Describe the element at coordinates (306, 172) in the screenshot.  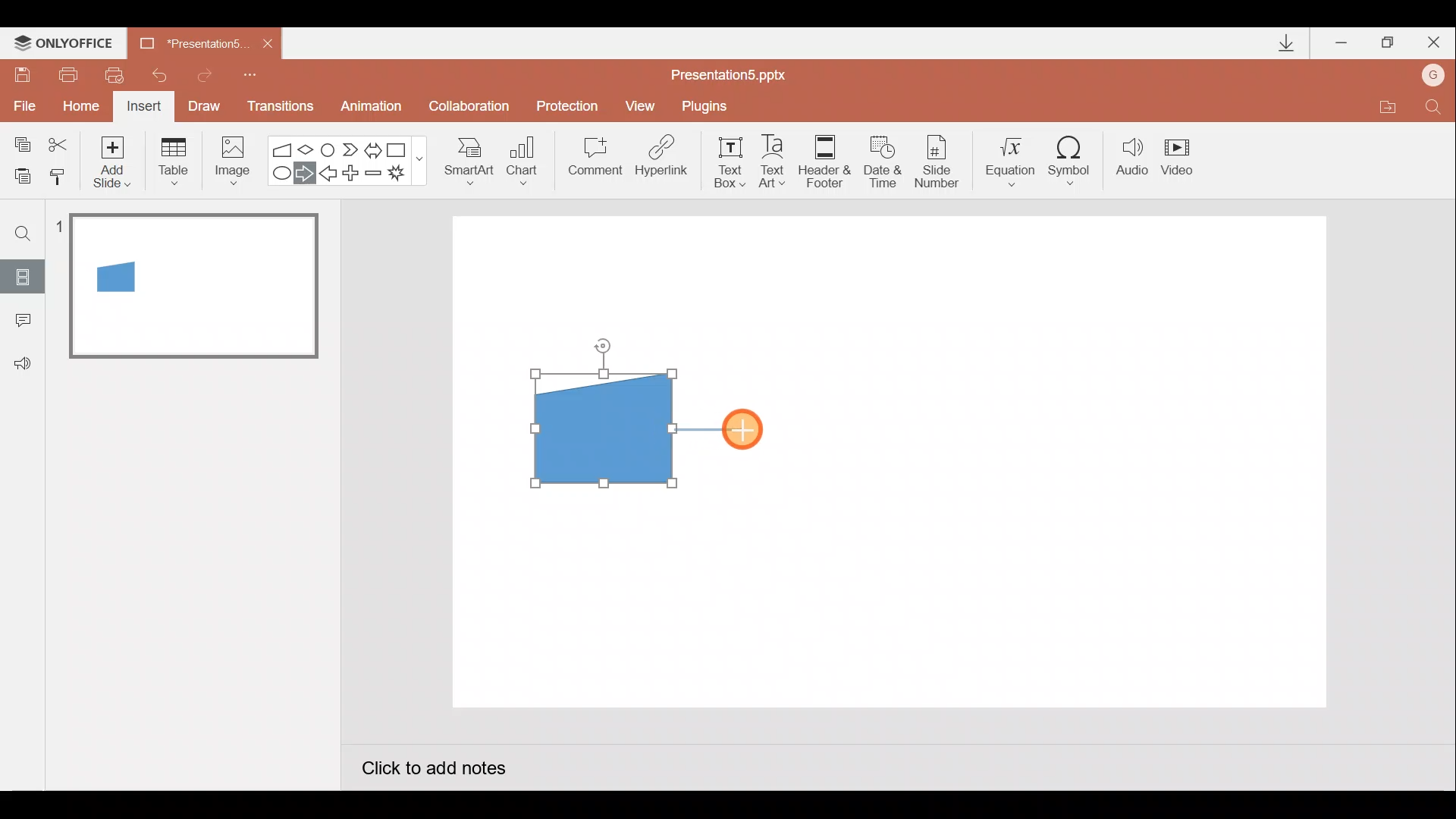
I see `Right arrow` at that location.